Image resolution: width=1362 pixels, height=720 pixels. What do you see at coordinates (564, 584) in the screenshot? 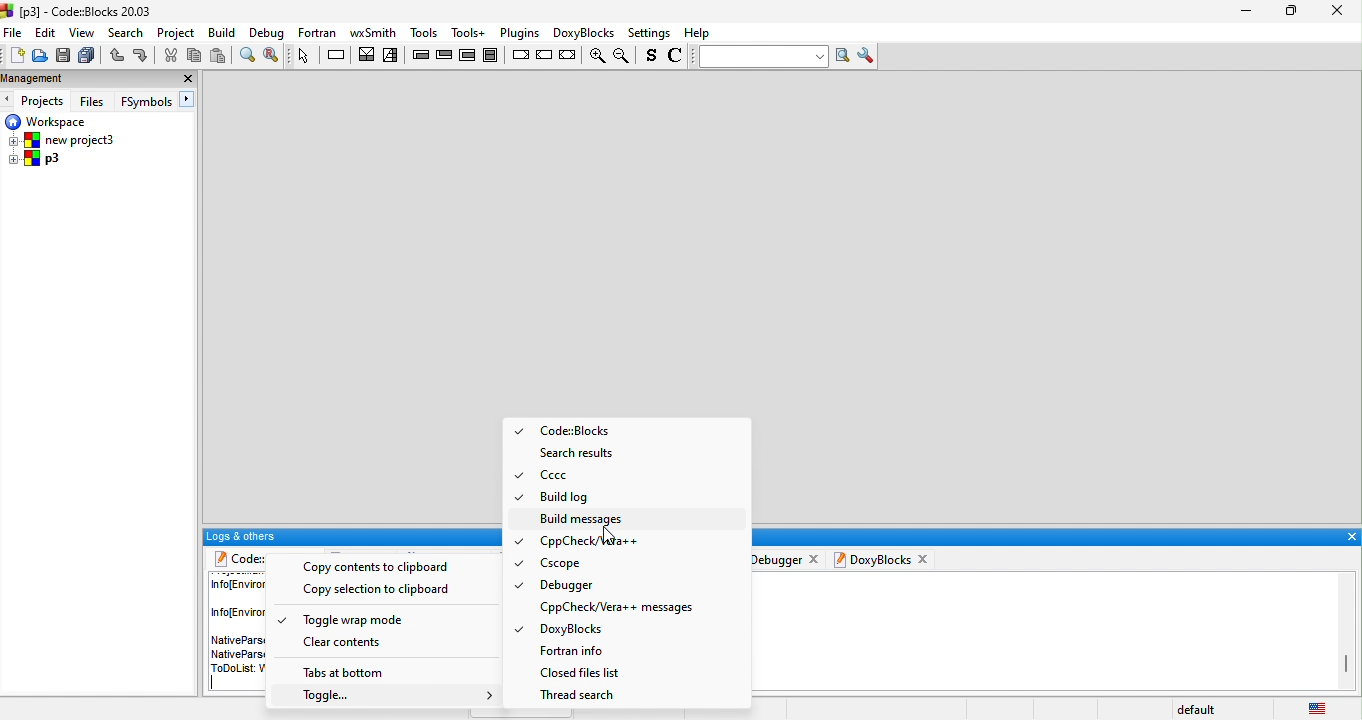
I see `Debugger` at bounding box center [564, 584].